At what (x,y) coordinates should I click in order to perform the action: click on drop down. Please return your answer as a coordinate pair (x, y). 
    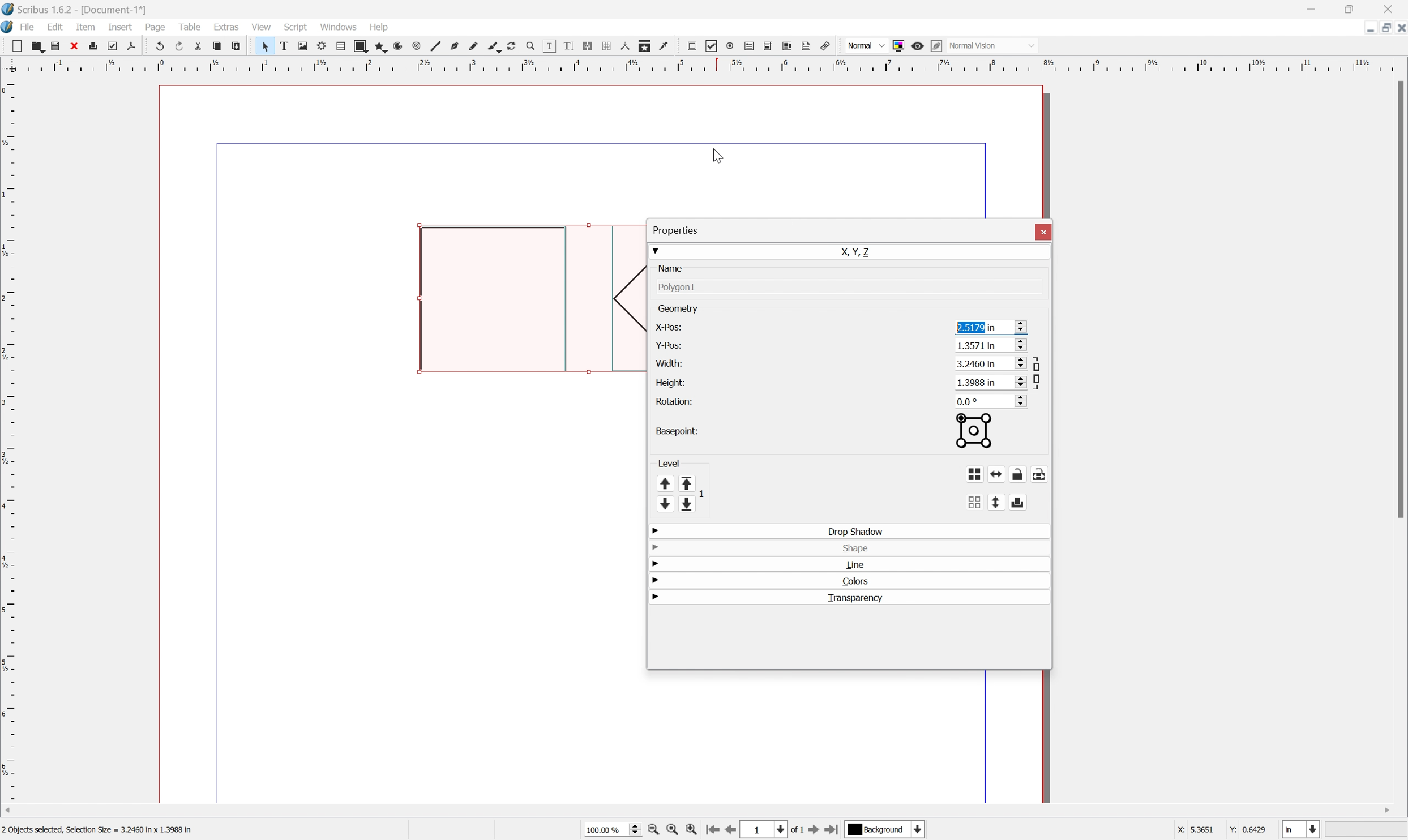
    Looking at the image, I should click on (656, 529).